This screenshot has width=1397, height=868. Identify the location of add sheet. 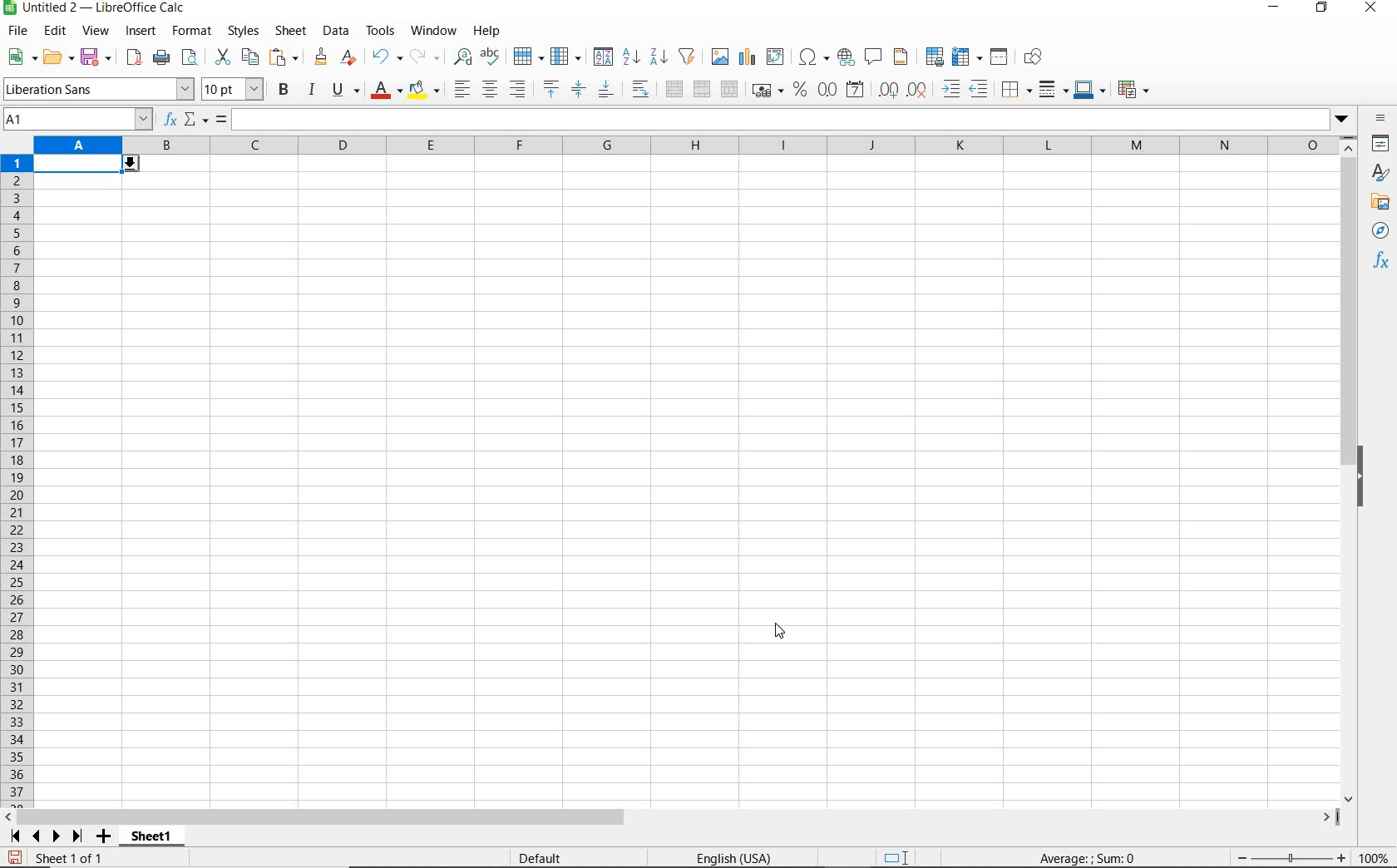
(101, 838).